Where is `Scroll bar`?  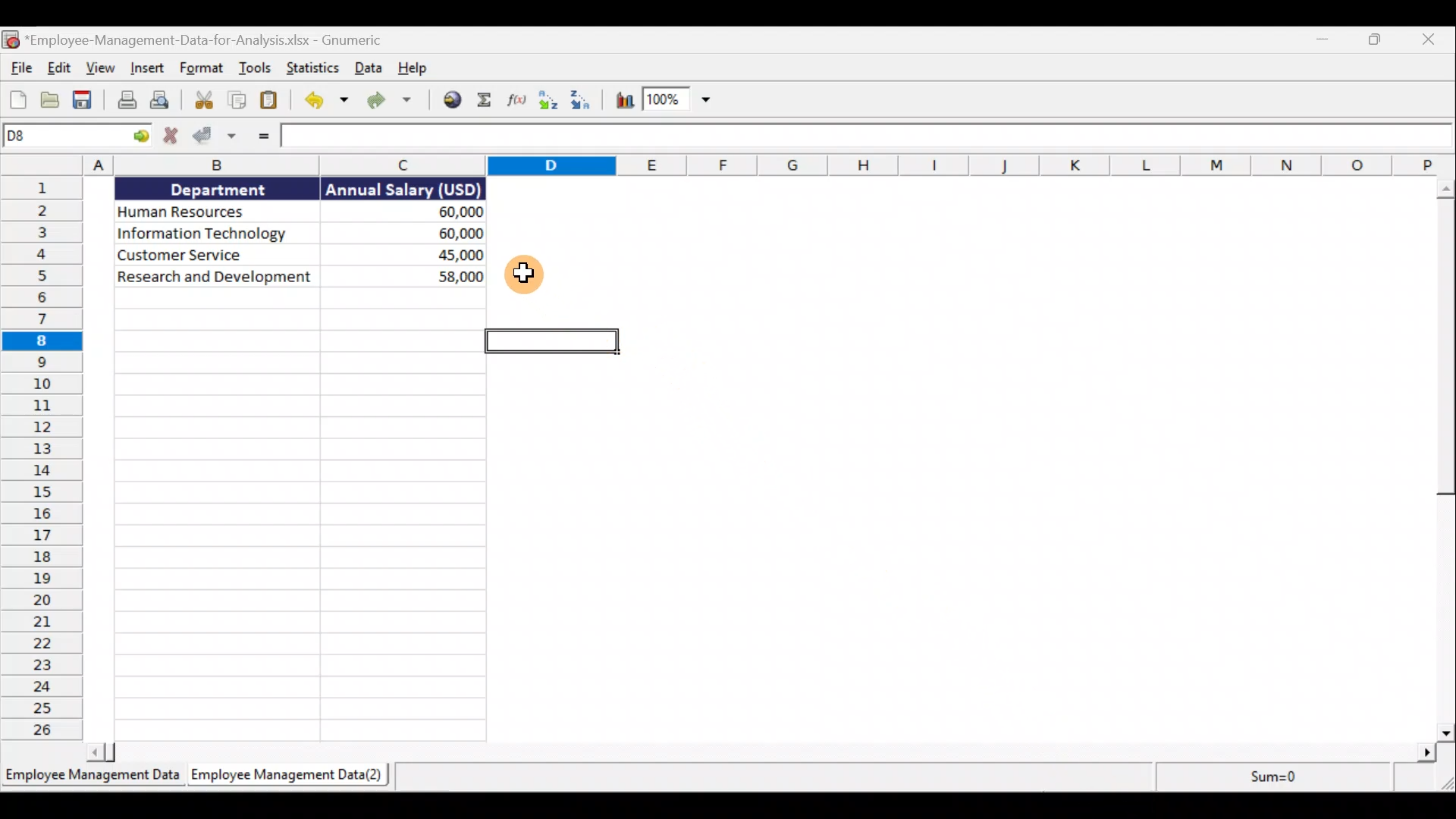 Scroll bar is located at coordinates (1439, 458).